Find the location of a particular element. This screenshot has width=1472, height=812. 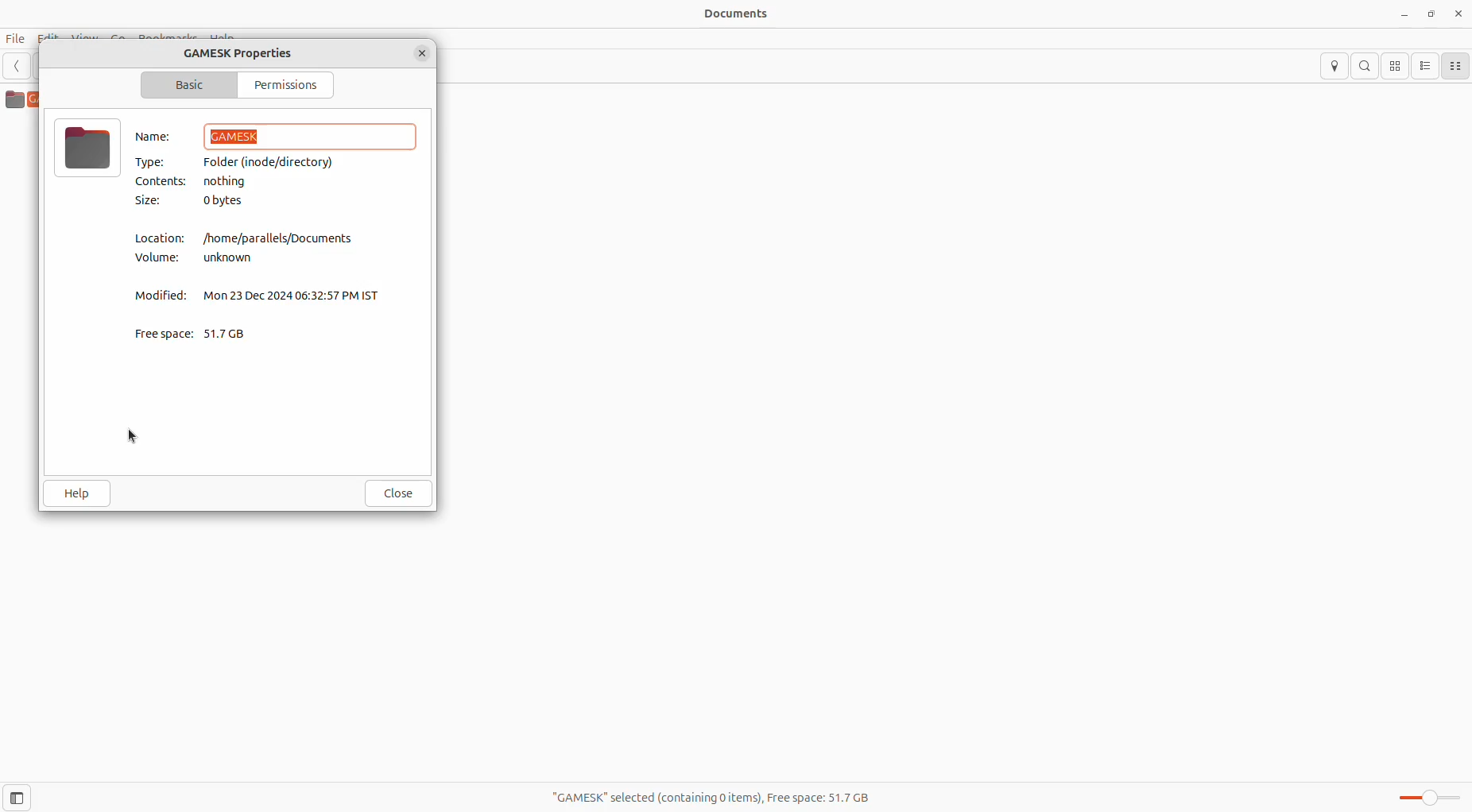

close is located at coordinates (1457, 14).